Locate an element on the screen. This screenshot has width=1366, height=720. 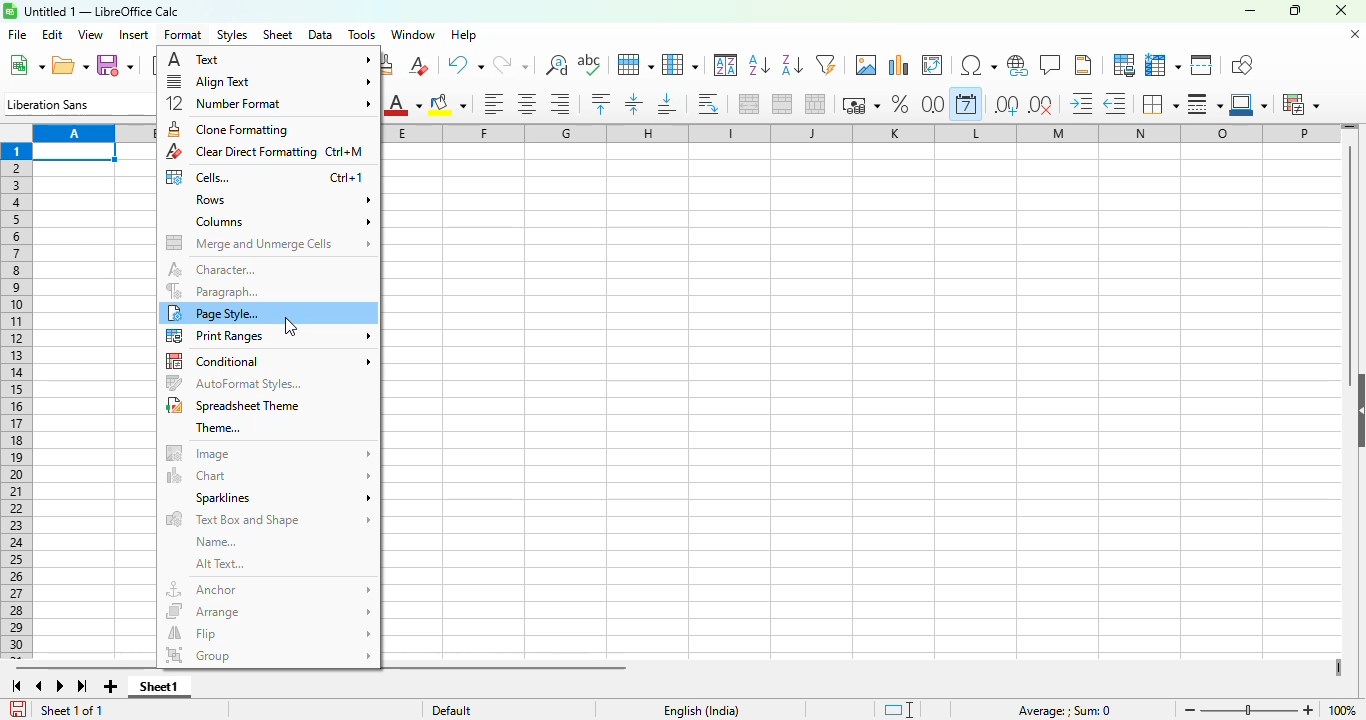
unmerge cells is located at coordinates (814, 104).